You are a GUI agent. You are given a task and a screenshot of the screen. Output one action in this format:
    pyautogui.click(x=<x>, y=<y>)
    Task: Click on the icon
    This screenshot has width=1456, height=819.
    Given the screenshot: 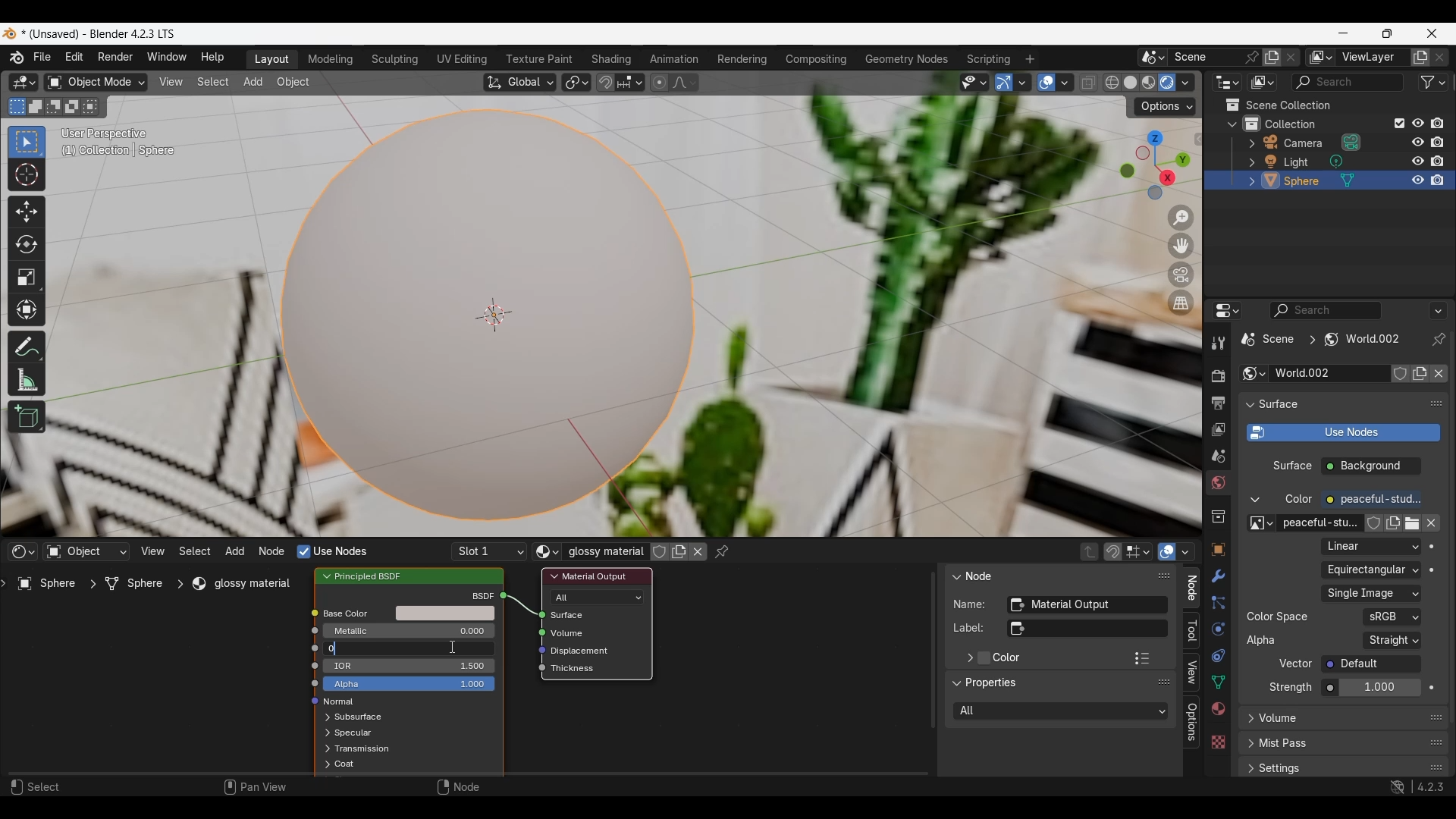 What is the action you would take?
    pyautogui.click(x=309, y=685)
    